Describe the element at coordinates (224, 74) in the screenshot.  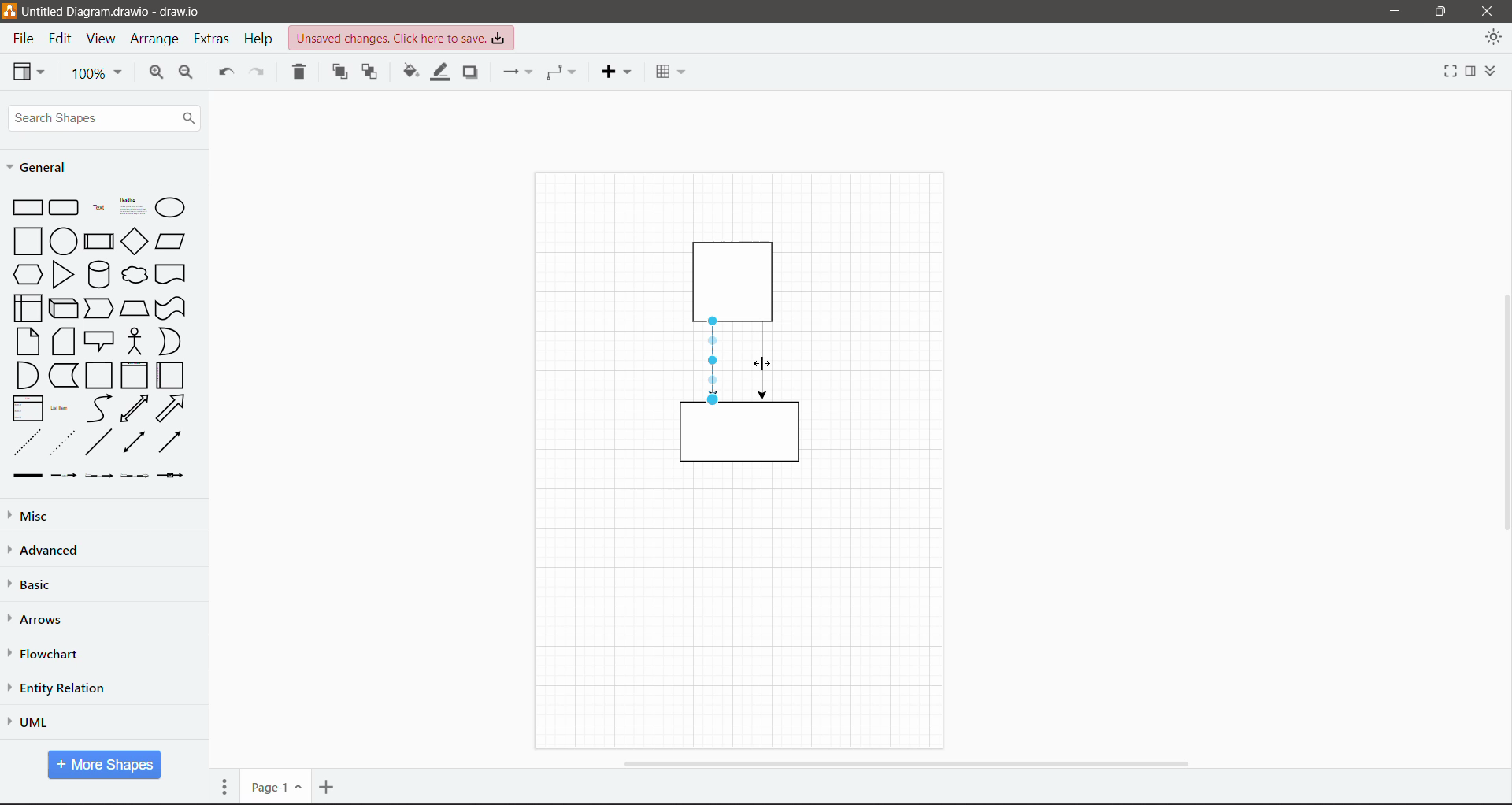
I see `Undo` at that location.